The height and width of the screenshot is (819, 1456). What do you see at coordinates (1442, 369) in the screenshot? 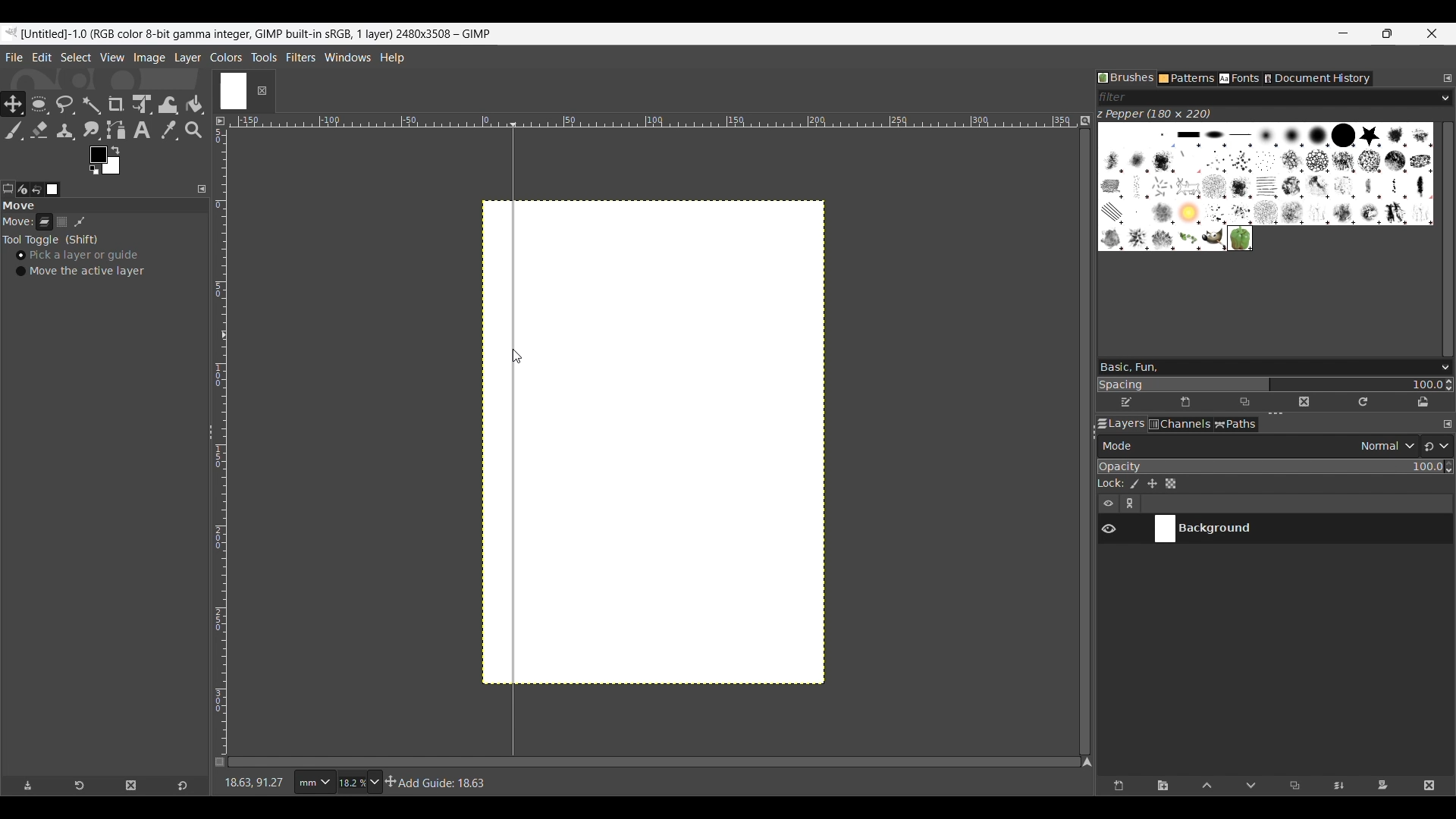
I see `Brush options` at bounding box center [1442, 369].